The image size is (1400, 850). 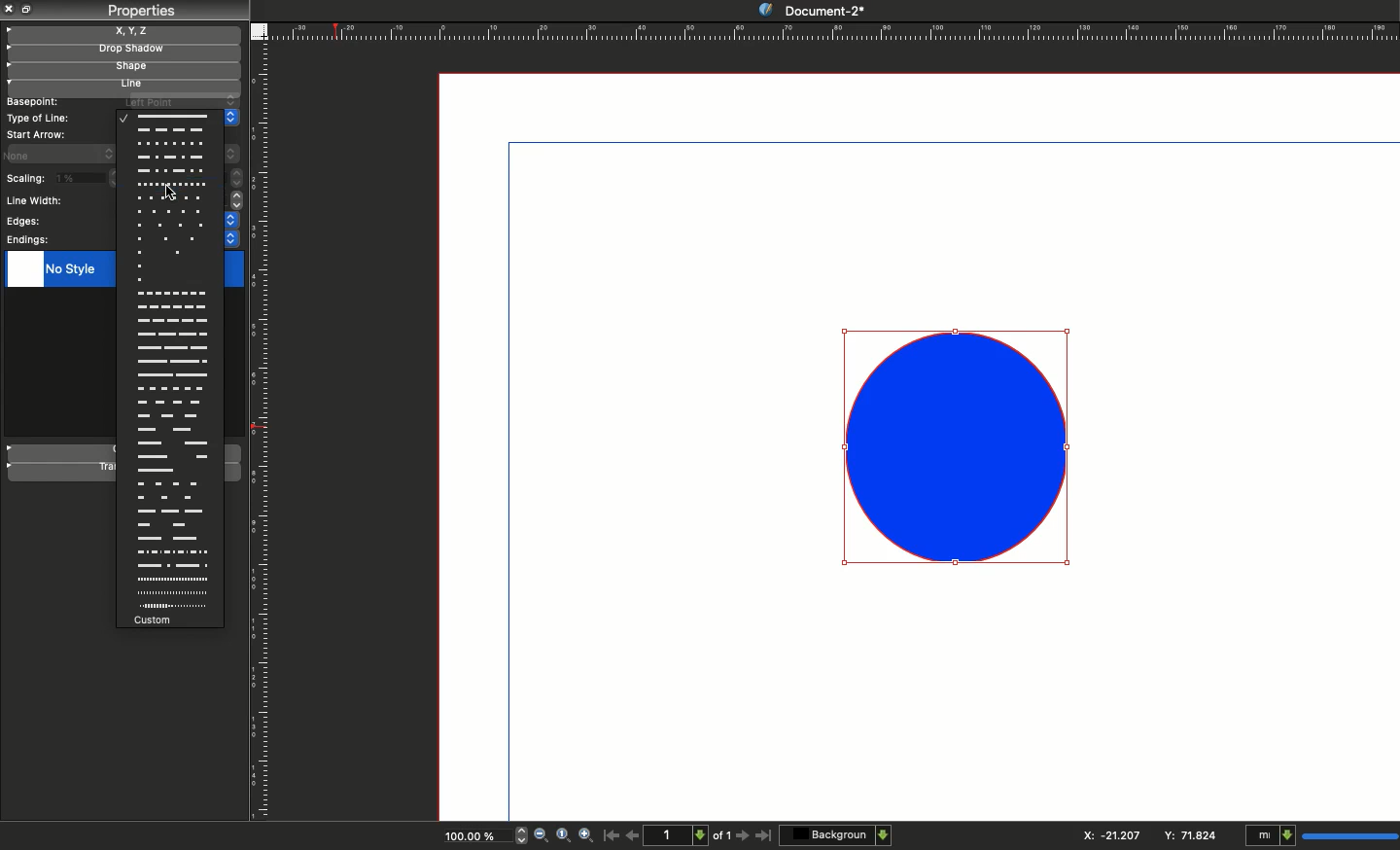 What do you see at coordinates (541, 836) in the screenshot?
I see `Zoom out` at bounding box center [541, 836].